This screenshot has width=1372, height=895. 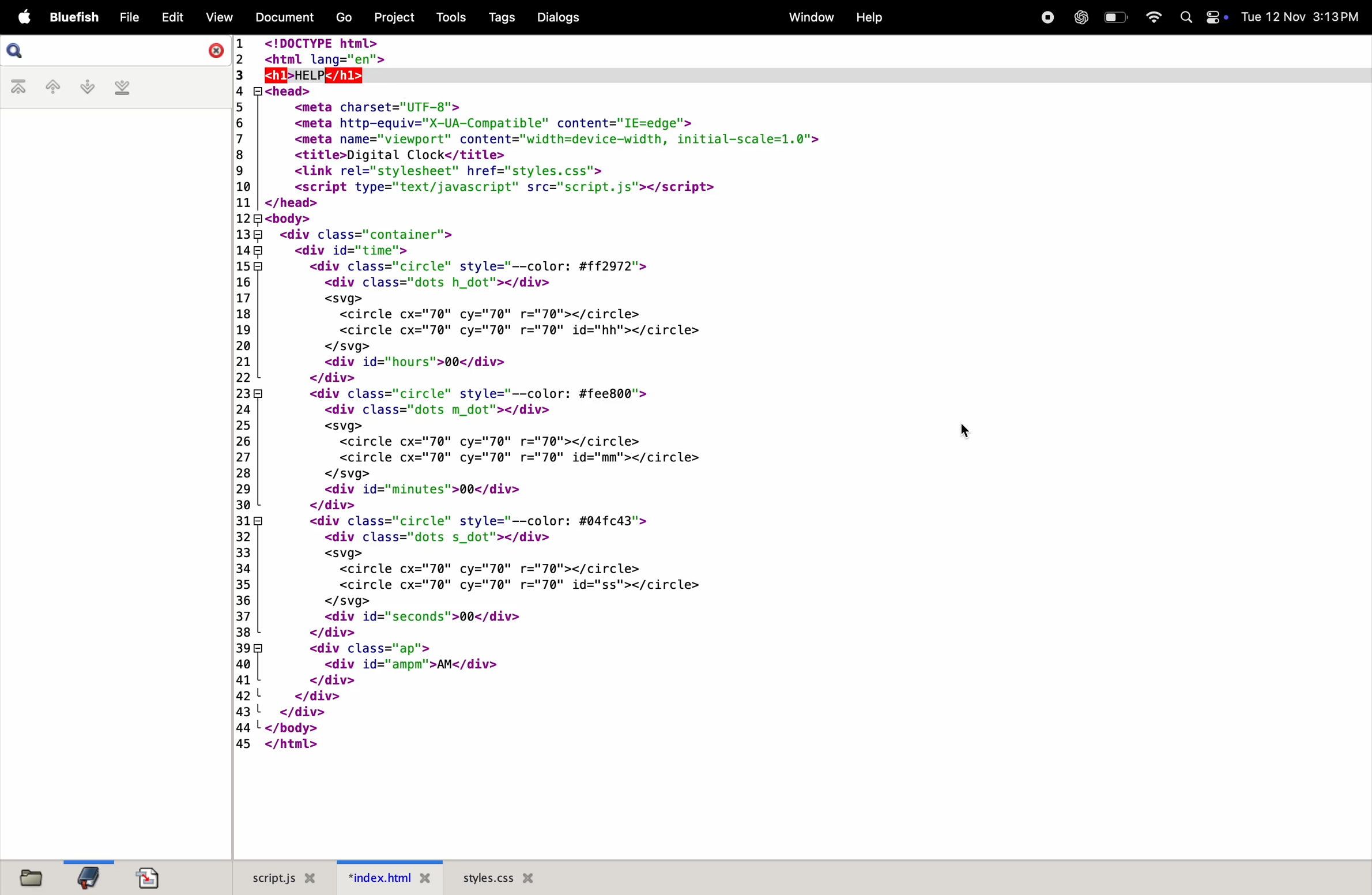 What do you see at coordinates (88, 877) in the screenshot?
I see `bookmark` at bounding box center [88, 877].